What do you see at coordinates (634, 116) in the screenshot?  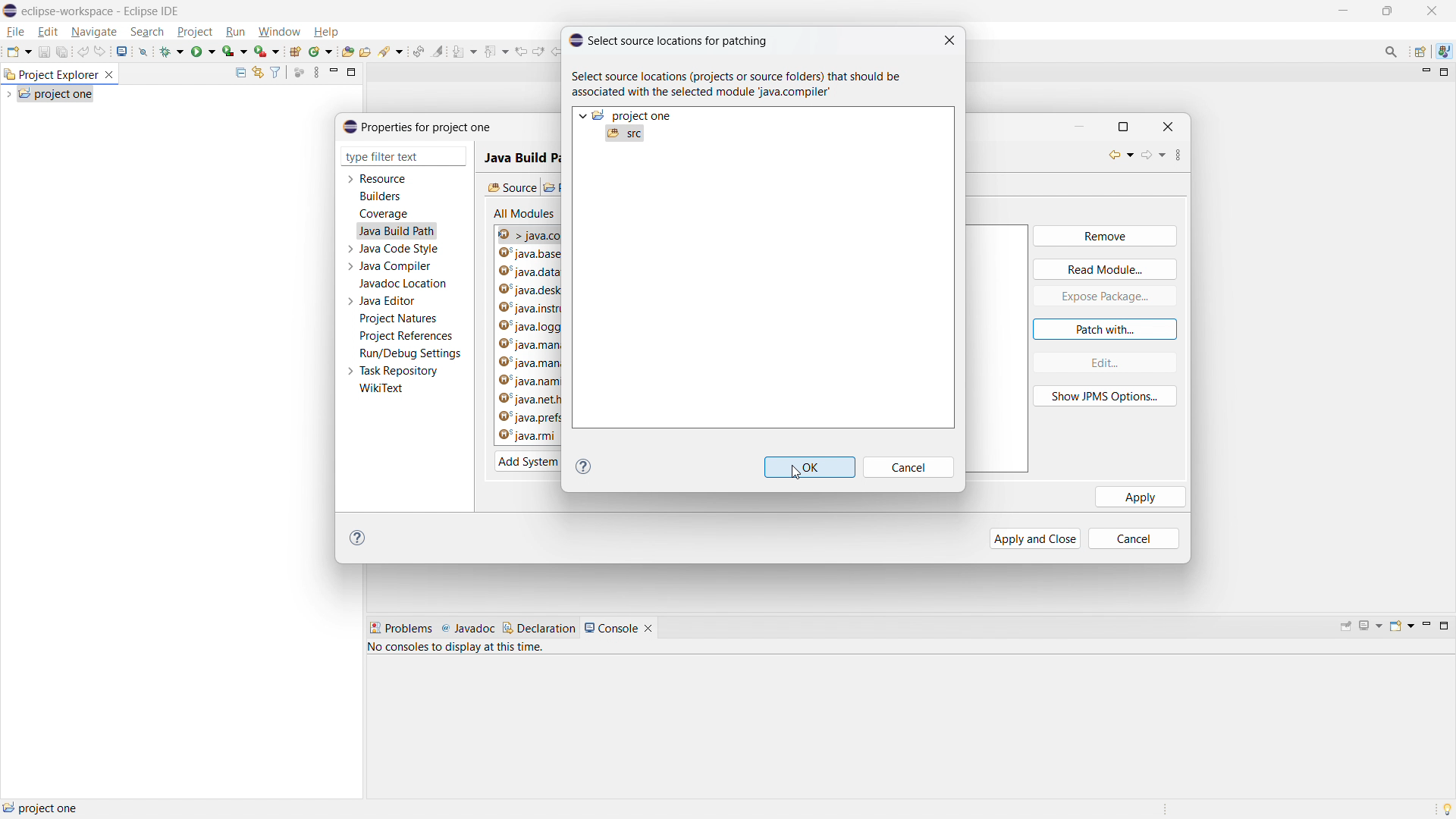 I see `project one` at bounding box center [634, 116].